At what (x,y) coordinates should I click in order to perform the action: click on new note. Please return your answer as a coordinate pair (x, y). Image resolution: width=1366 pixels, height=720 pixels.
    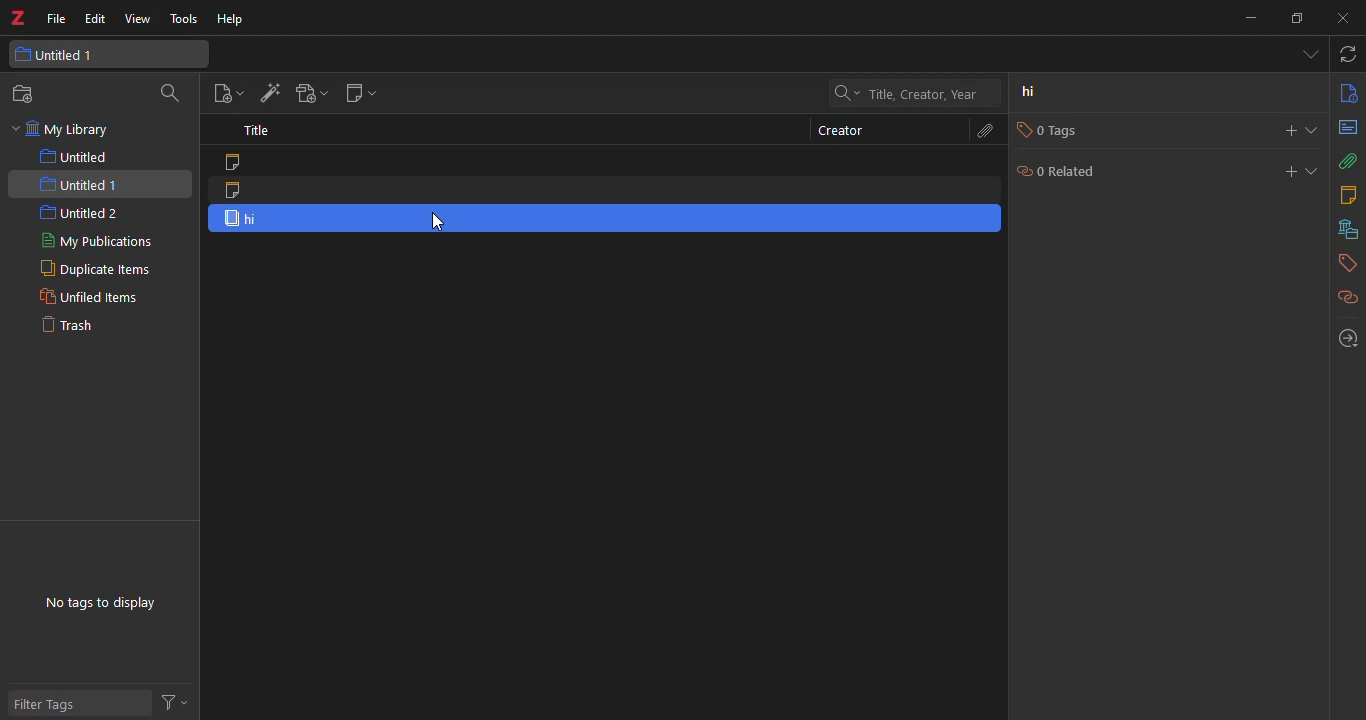
    Looking at the image, I should click on (362, 93).